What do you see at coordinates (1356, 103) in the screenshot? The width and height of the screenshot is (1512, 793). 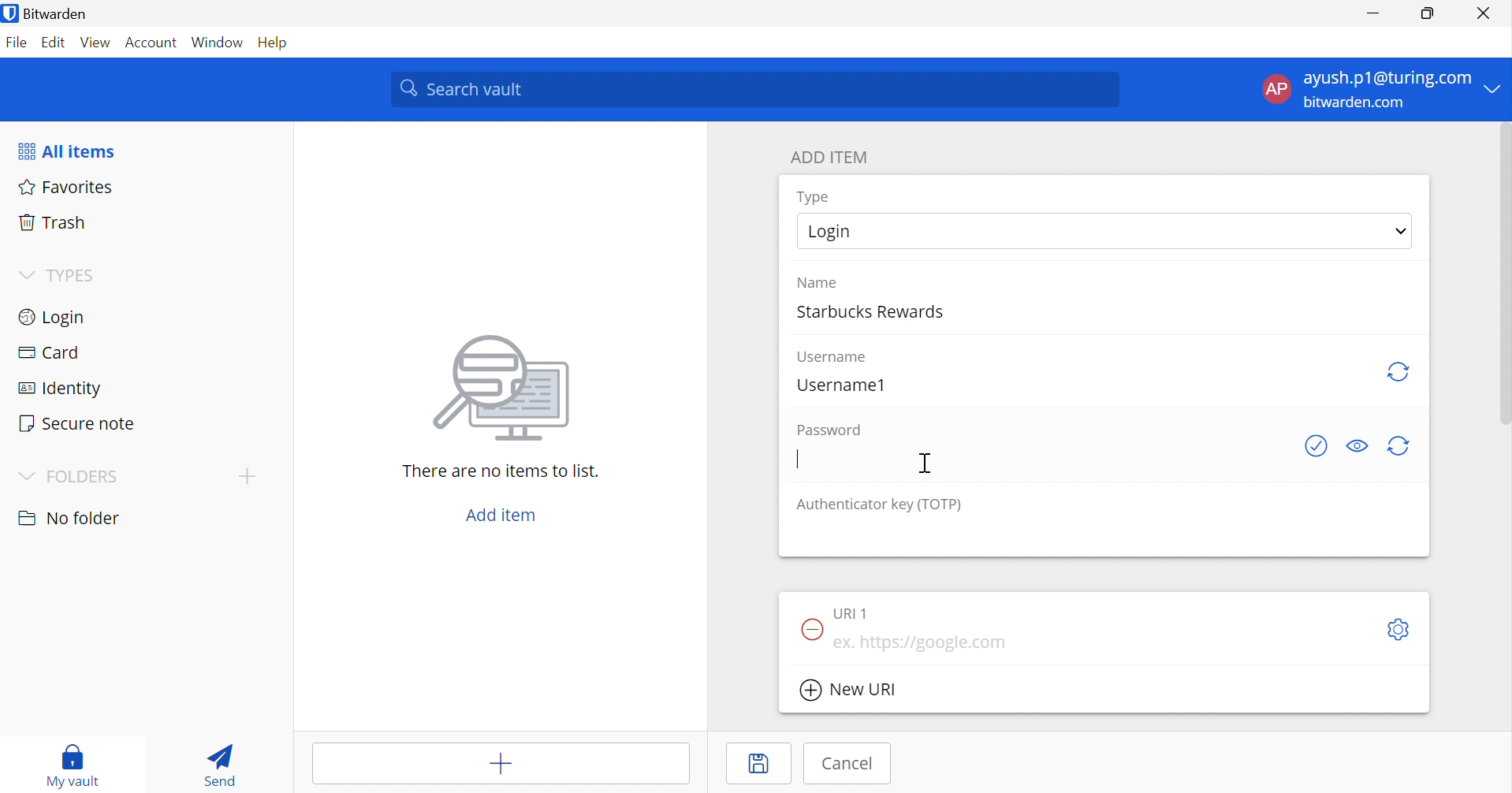 I see `bitwarden.com` at bounding box center [1356, 103].